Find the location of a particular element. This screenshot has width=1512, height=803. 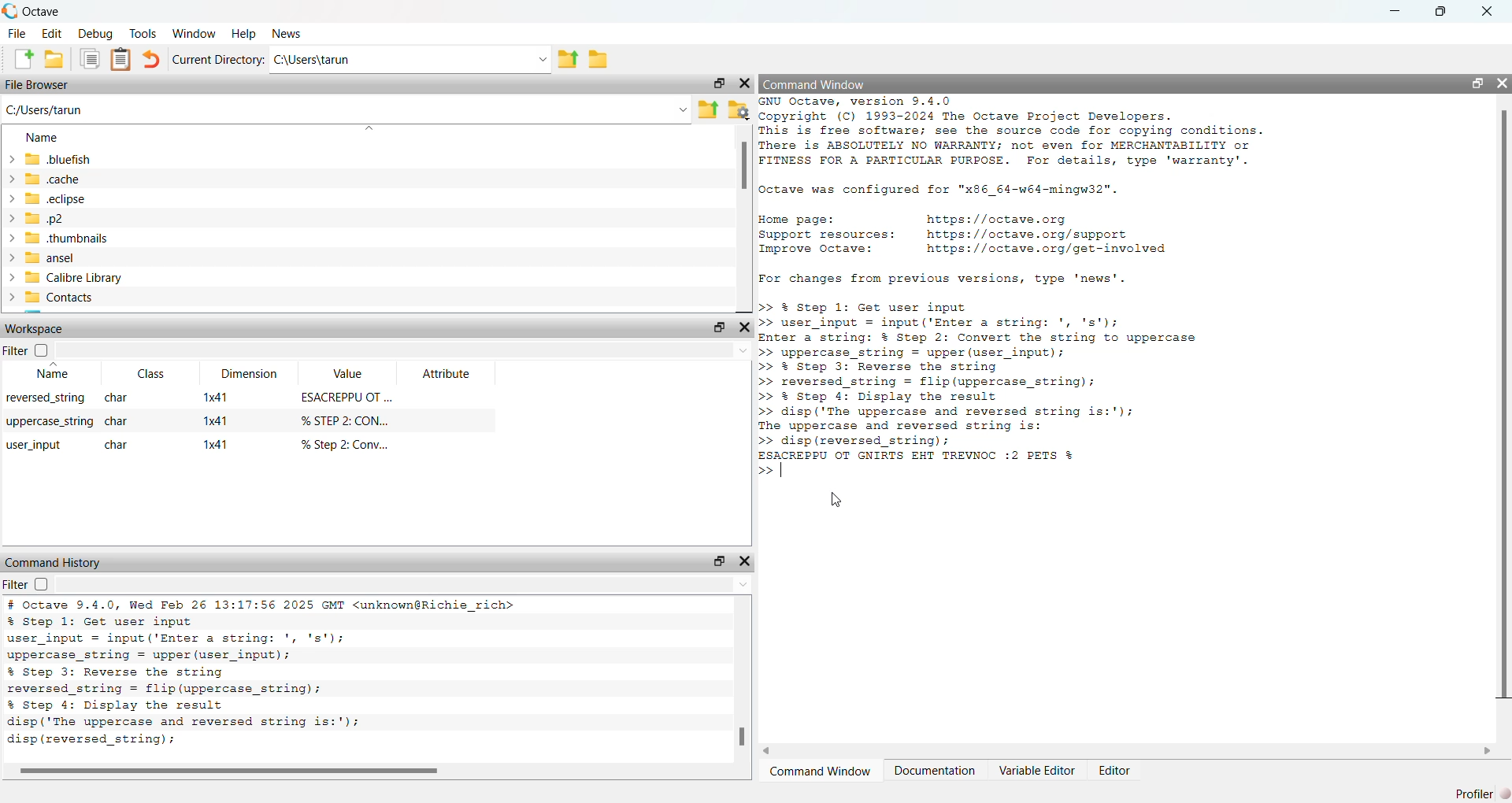

calibre library is located at coordinates (104, 279).